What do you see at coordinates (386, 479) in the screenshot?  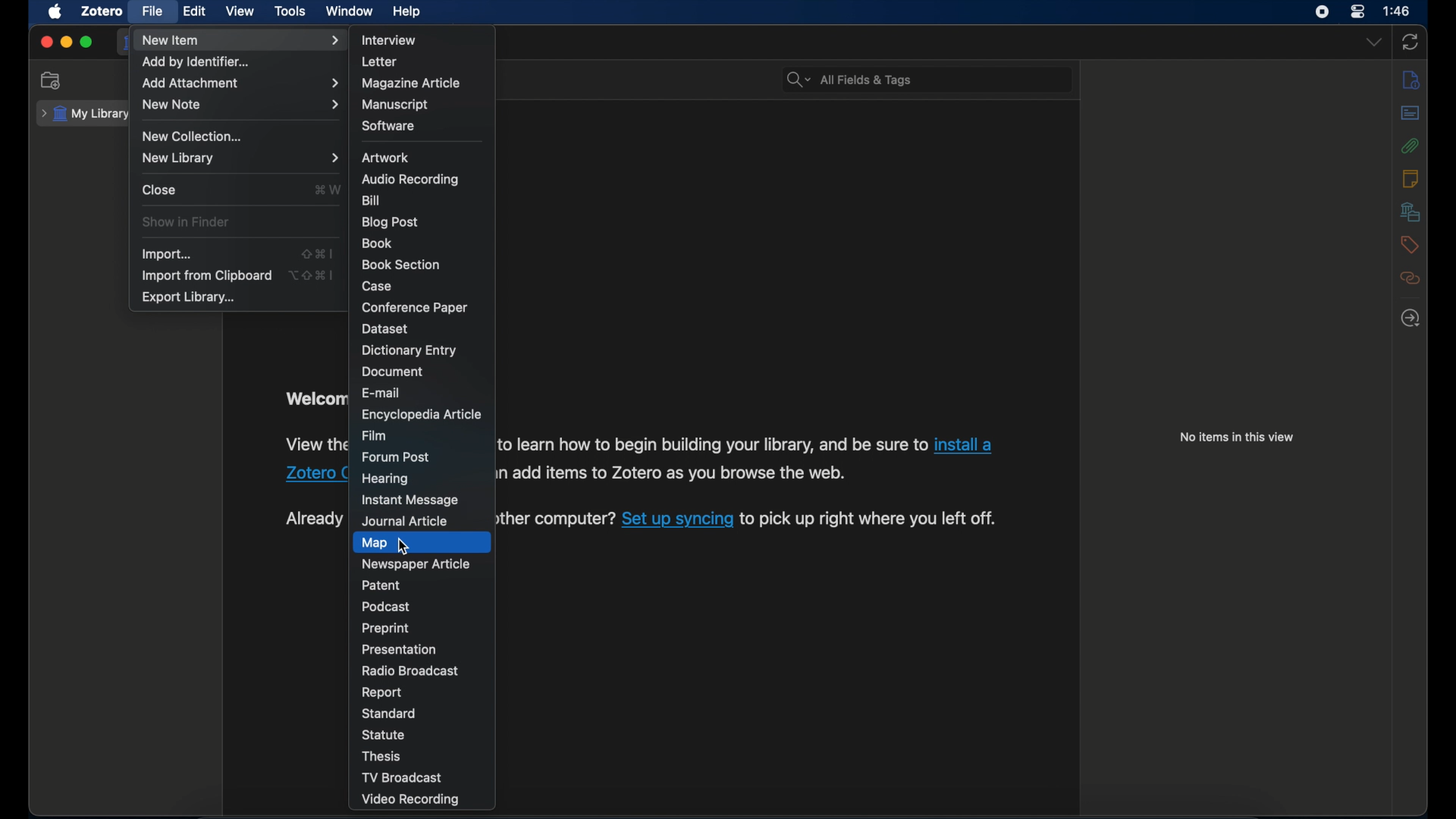 I see `hearing` at bounding box center [386, 479].